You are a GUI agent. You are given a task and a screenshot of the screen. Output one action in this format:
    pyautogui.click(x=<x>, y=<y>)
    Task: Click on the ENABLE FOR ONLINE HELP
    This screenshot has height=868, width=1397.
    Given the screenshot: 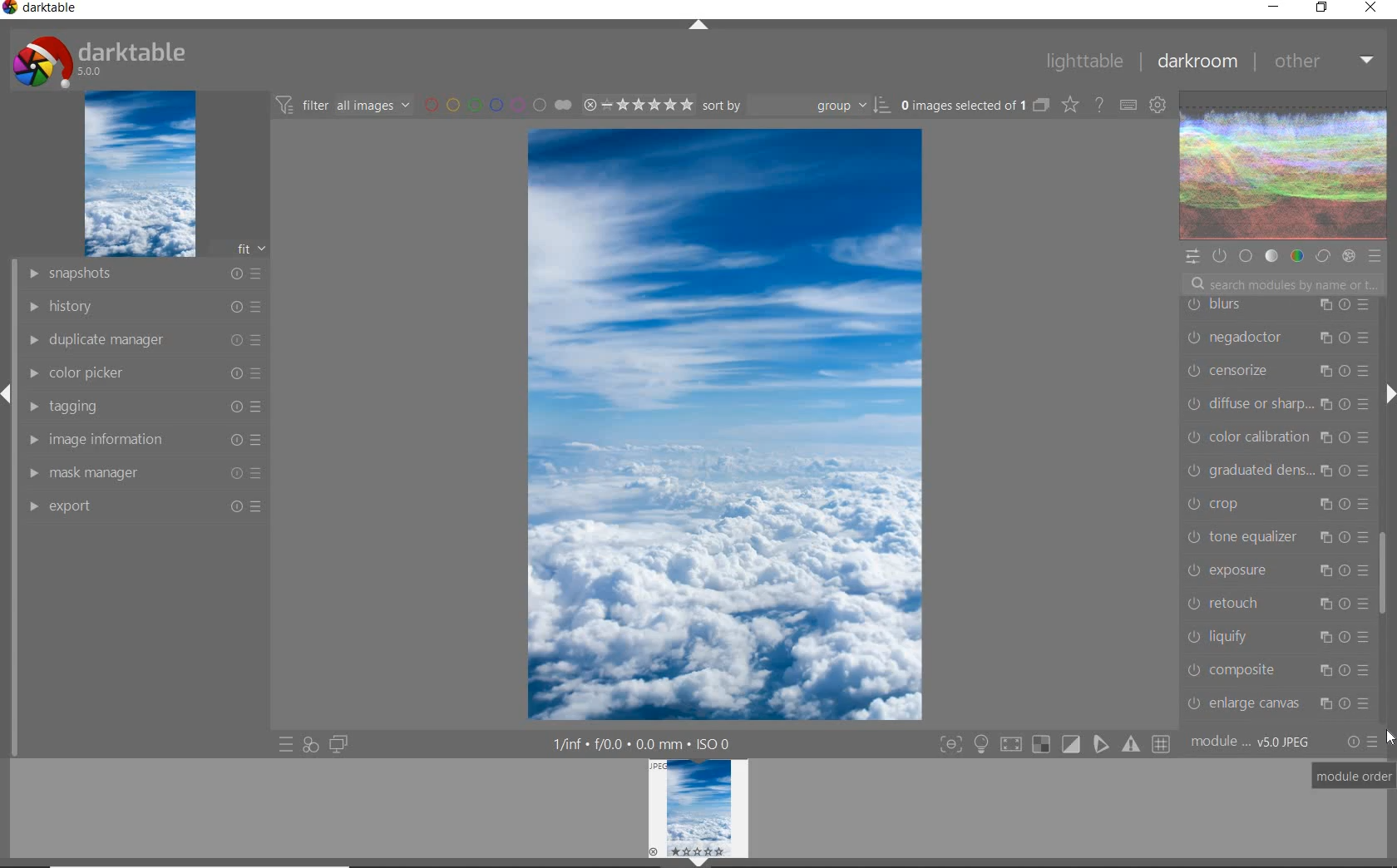 What is the action you would take?
    pyautogui.click(x=1098, y=104)
    